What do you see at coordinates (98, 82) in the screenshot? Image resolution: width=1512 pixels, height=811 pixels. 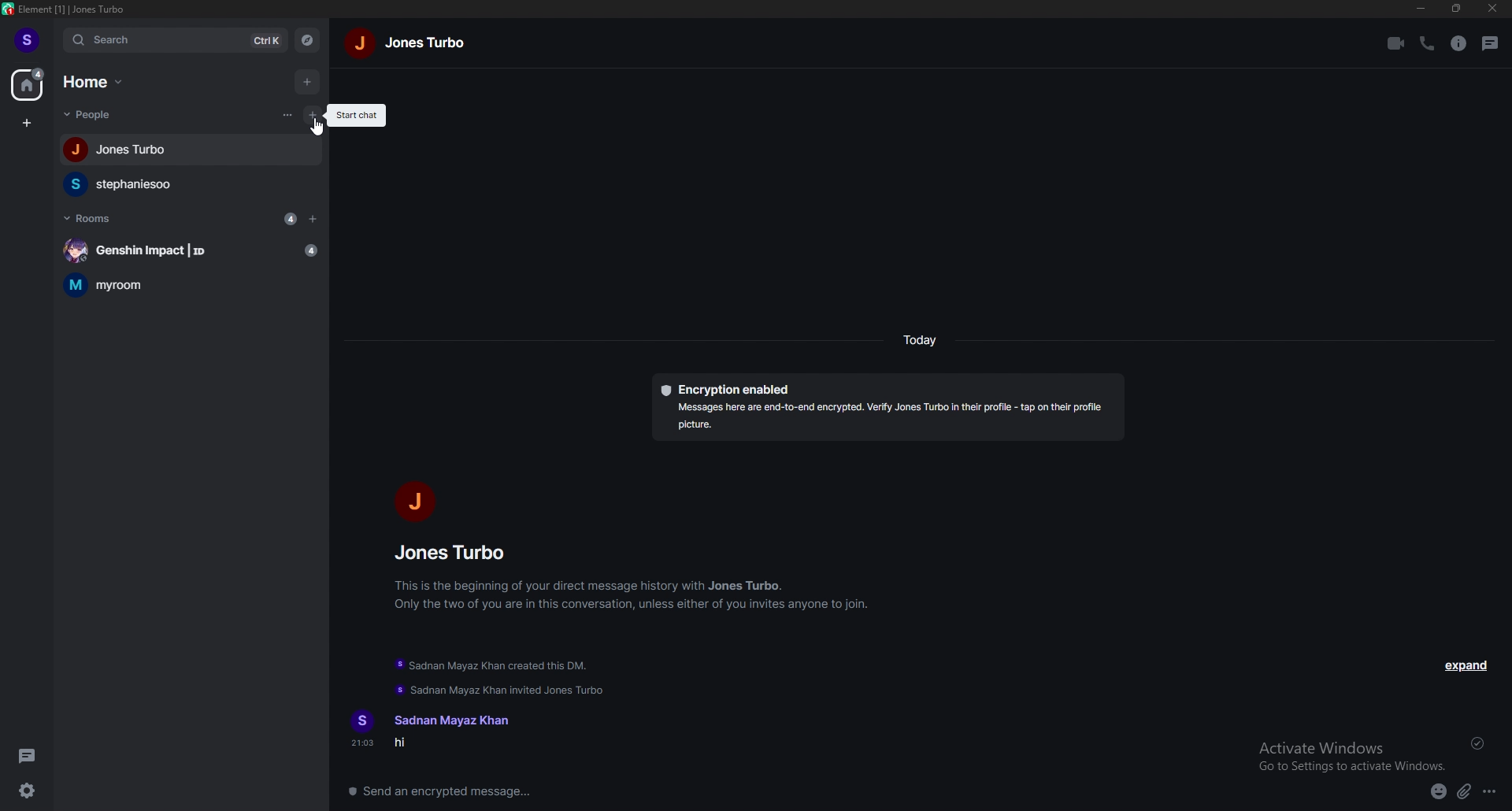 I see `home` at bounding box center [98, 82].